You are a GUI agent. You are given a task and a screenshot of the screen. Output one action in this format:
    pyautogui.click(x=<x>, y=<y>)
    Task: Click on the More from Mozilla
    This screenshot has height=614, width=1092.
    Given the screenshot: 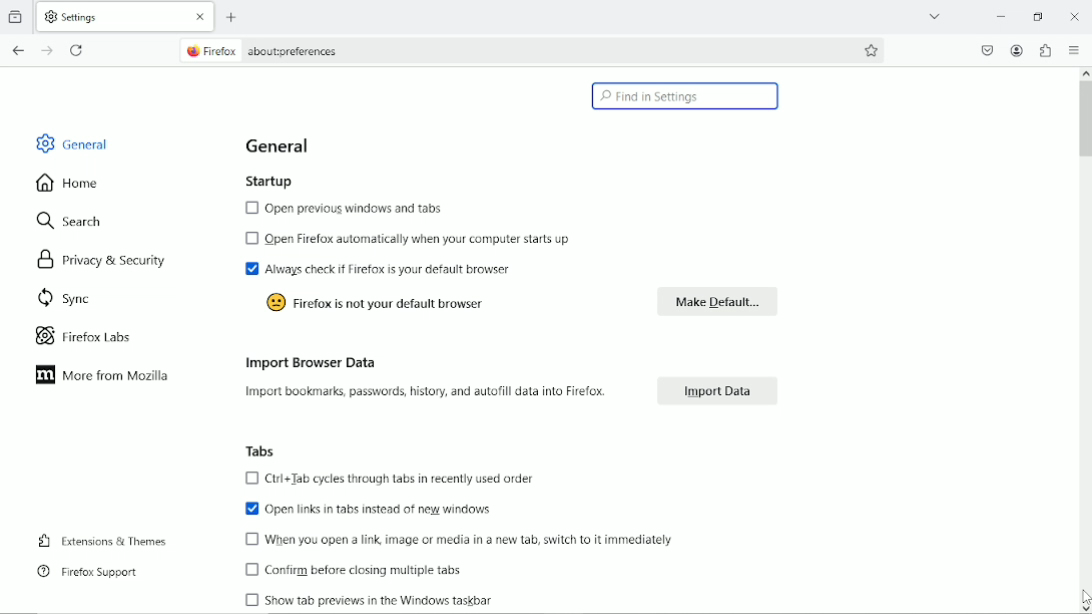 What is the action you would take?
    pyautogui.click(x=103, y=375)
    